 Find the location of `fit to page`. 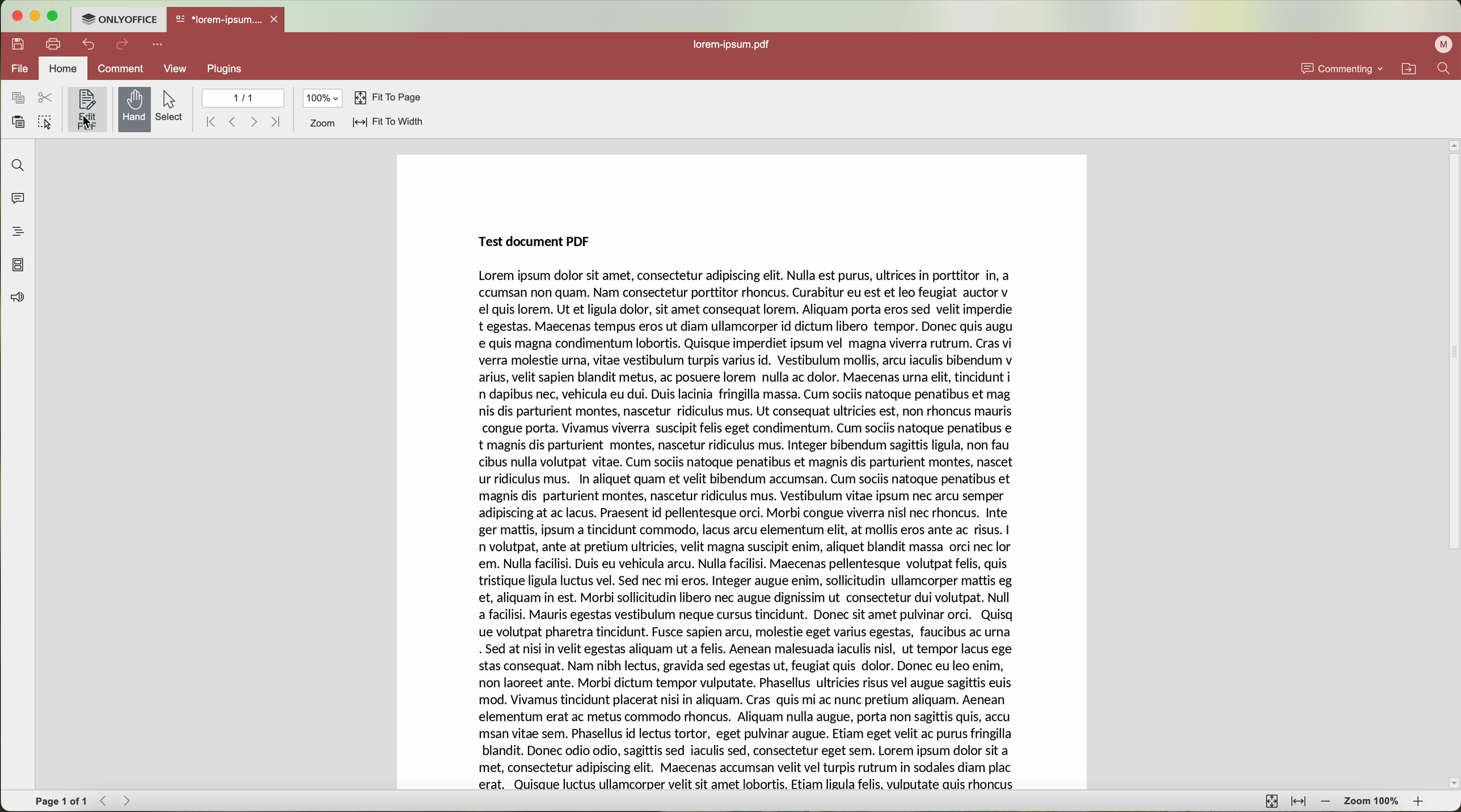

fit to page is located at coordinates (1270, 801).